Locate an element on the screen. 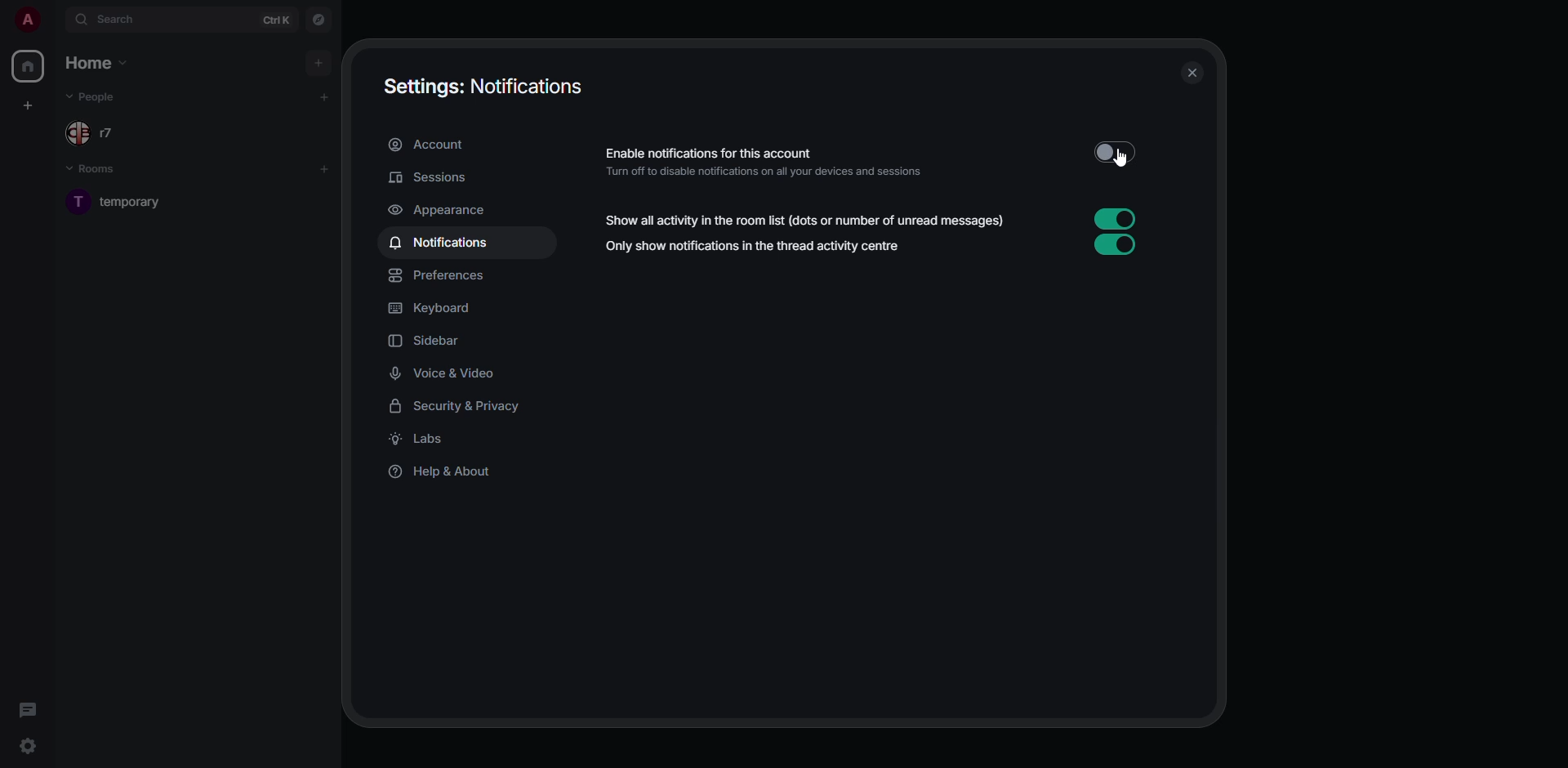 This screenshot has width=1568, height=768. add is located at coordinates (326, 96).